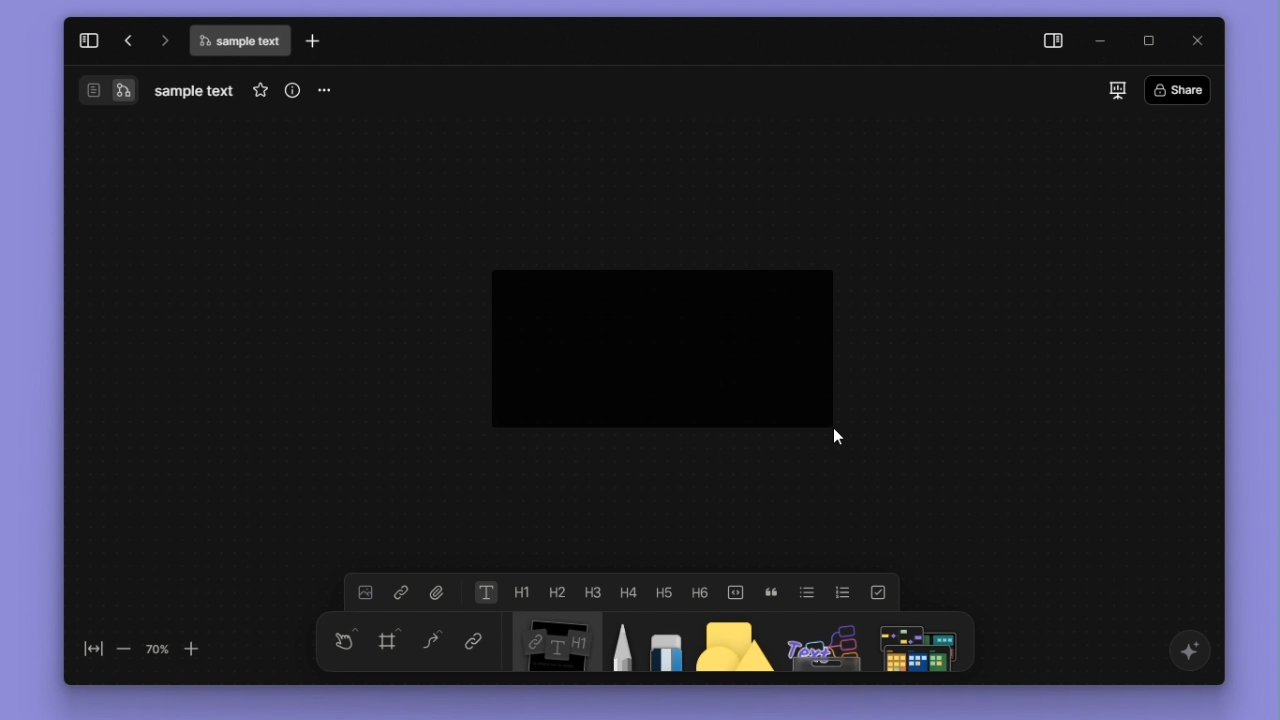 Image resolution: width=1280 pixels, height=720 pixels. Describe the element at coordinates (1182, 88) in the screenshot. I see `share` at that location.